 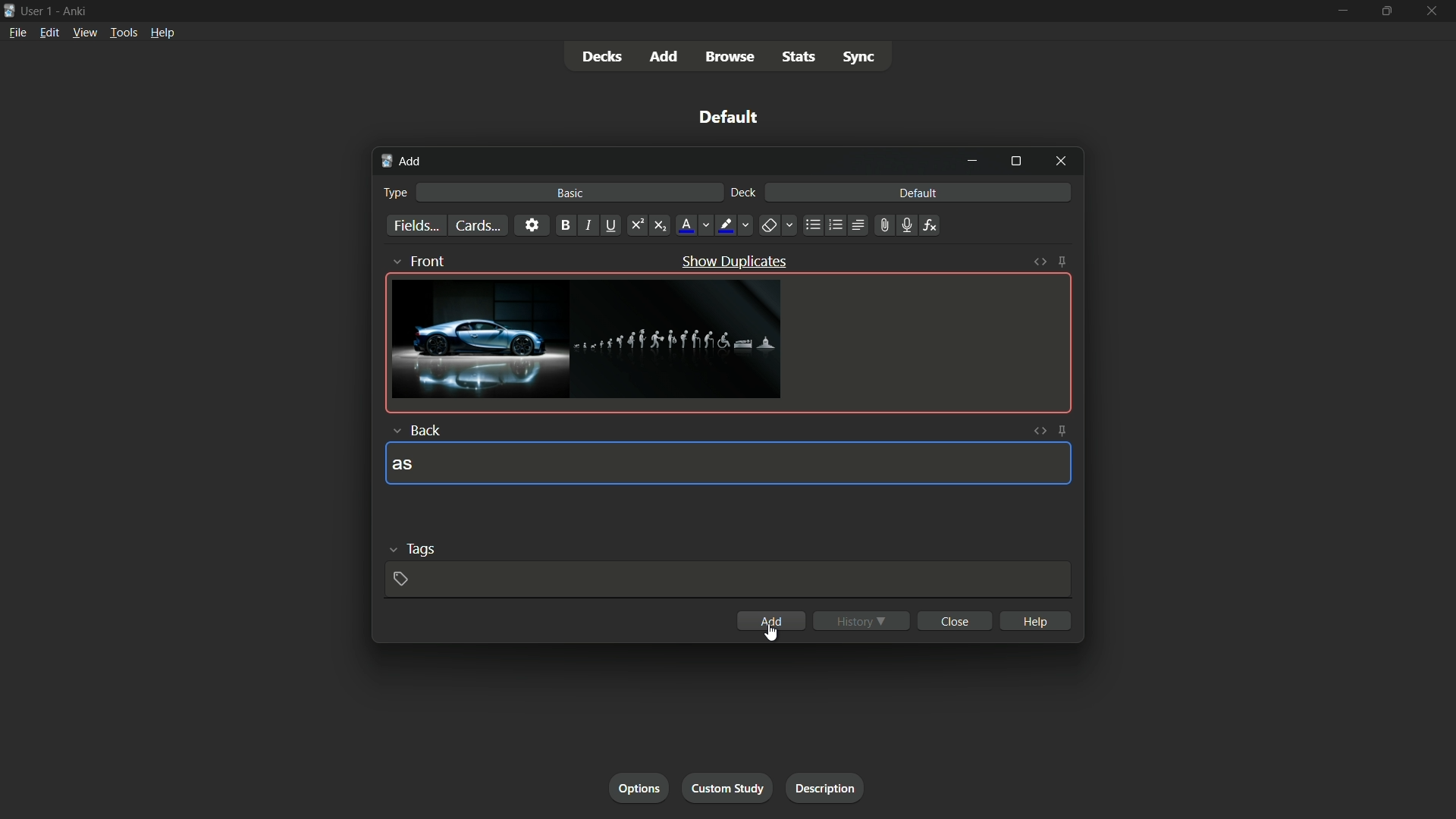 I want to click on one image added, so click(x=479, y=339).